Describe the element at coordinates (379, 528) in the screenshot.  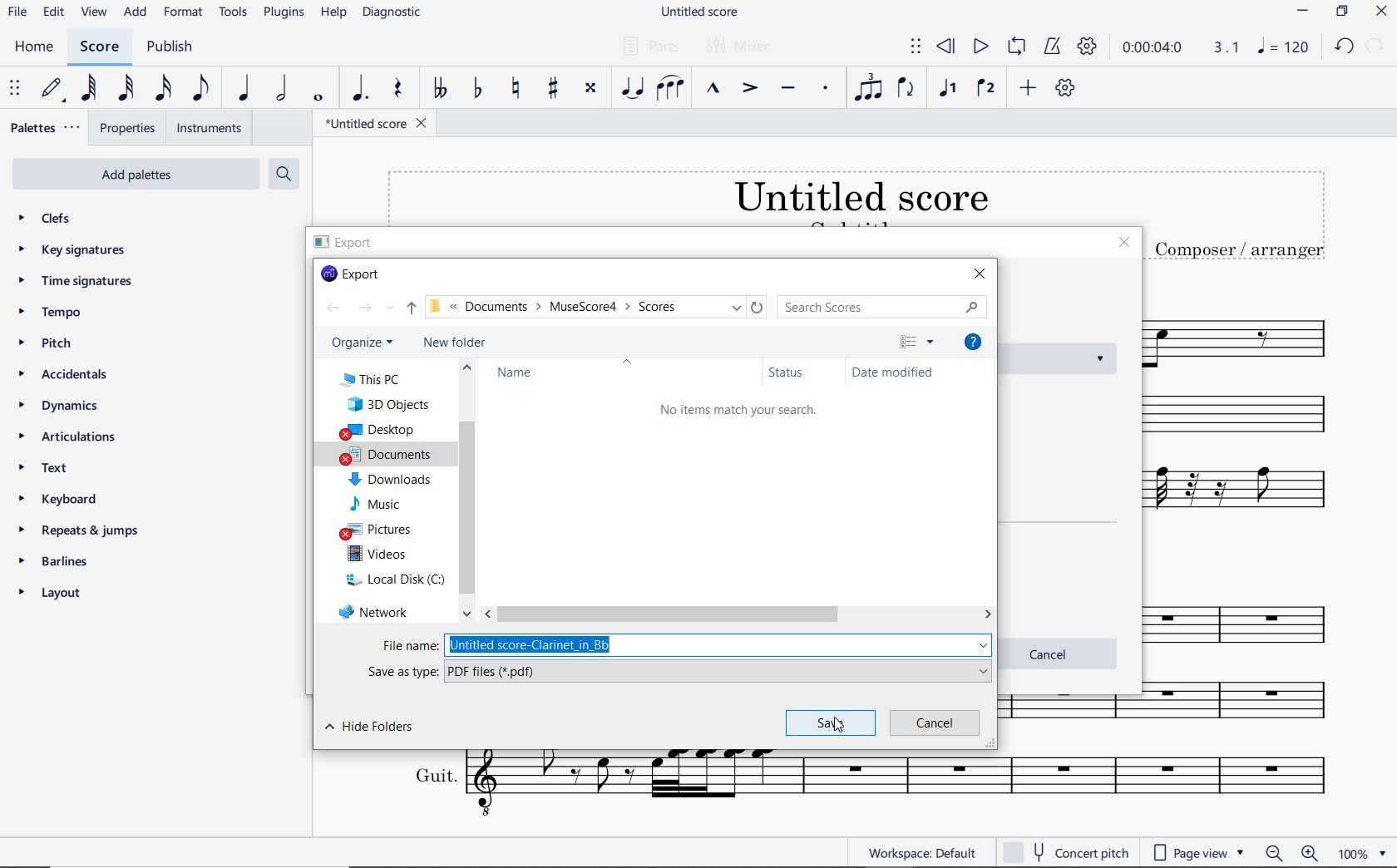
I see `pictures` at that location.